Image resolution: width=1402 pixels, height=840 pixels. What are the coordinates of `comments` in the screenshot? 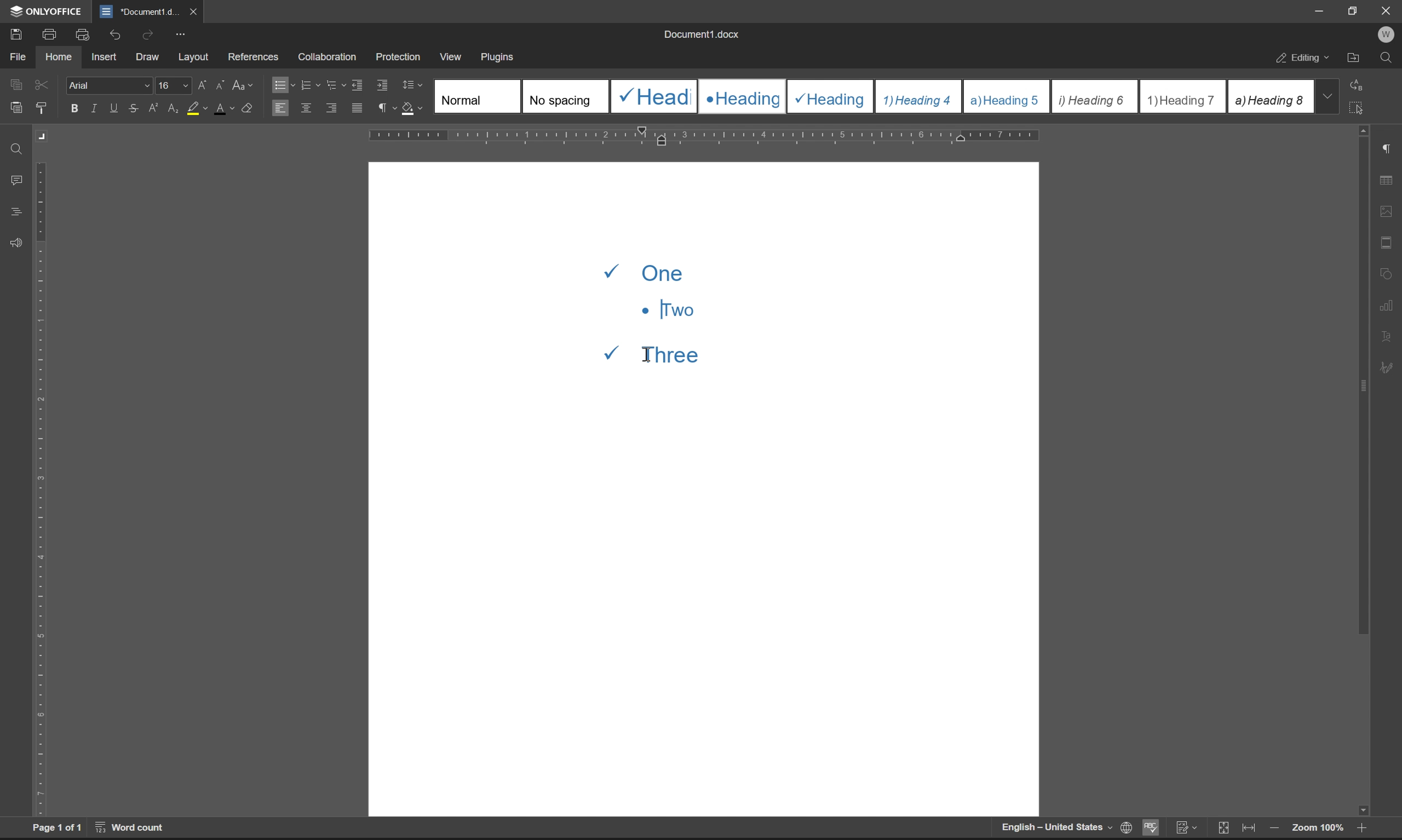 It's located at (19, 181).